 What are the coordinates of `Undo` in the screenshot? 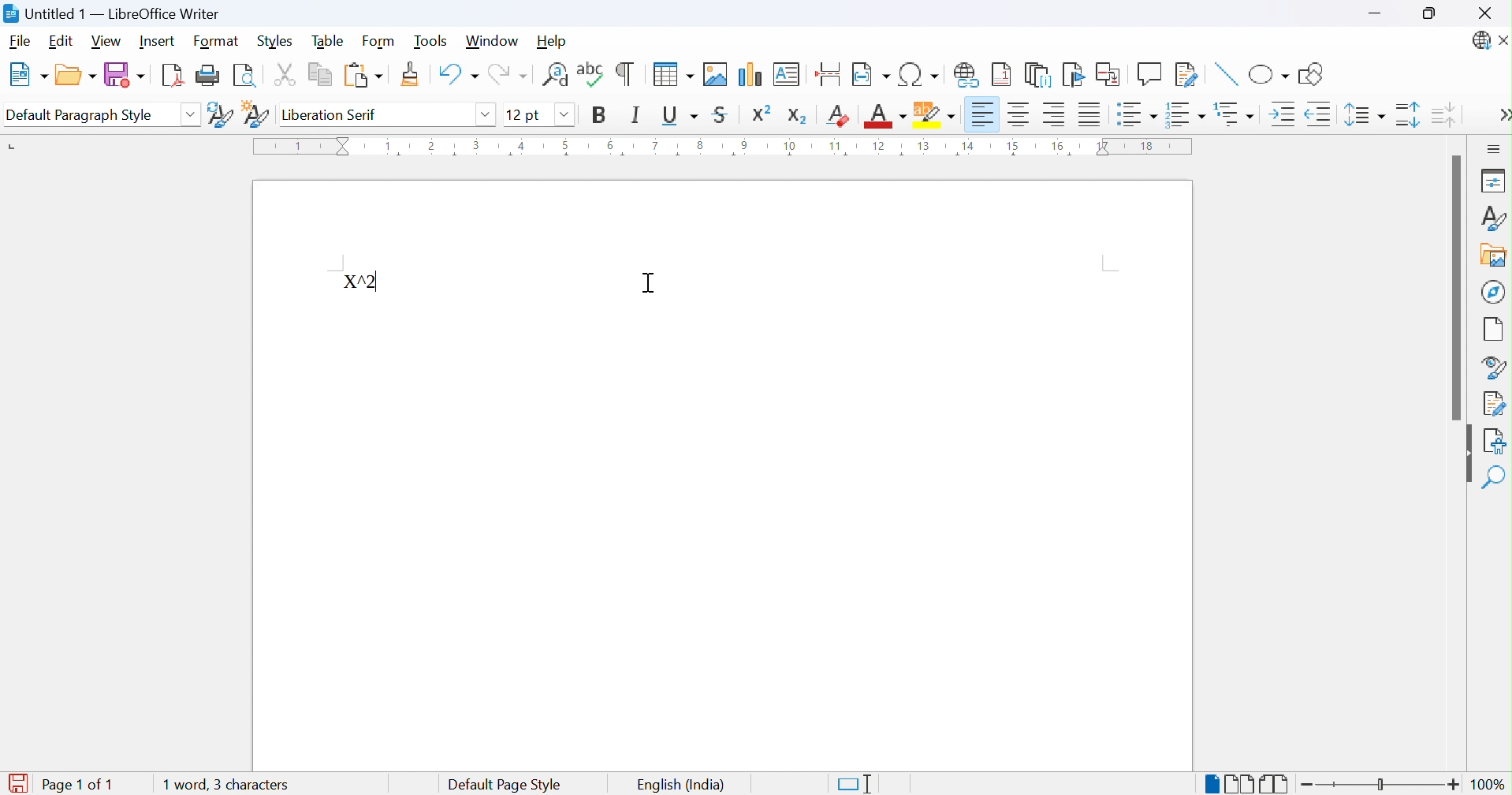 It's located at (456, 74).